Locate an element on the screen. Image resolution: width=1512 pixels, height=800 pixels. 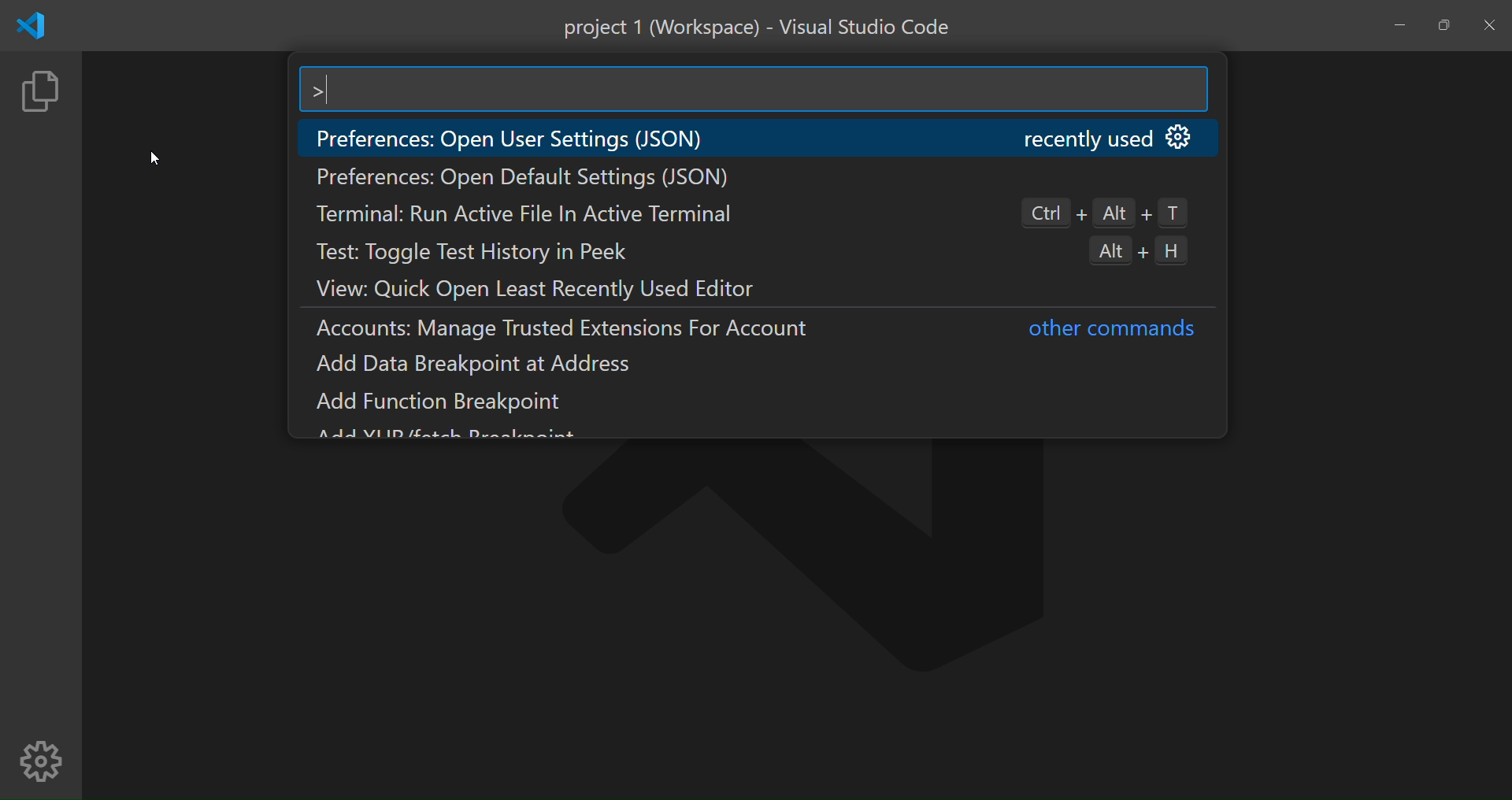
title is located at coordinates (758, 28).